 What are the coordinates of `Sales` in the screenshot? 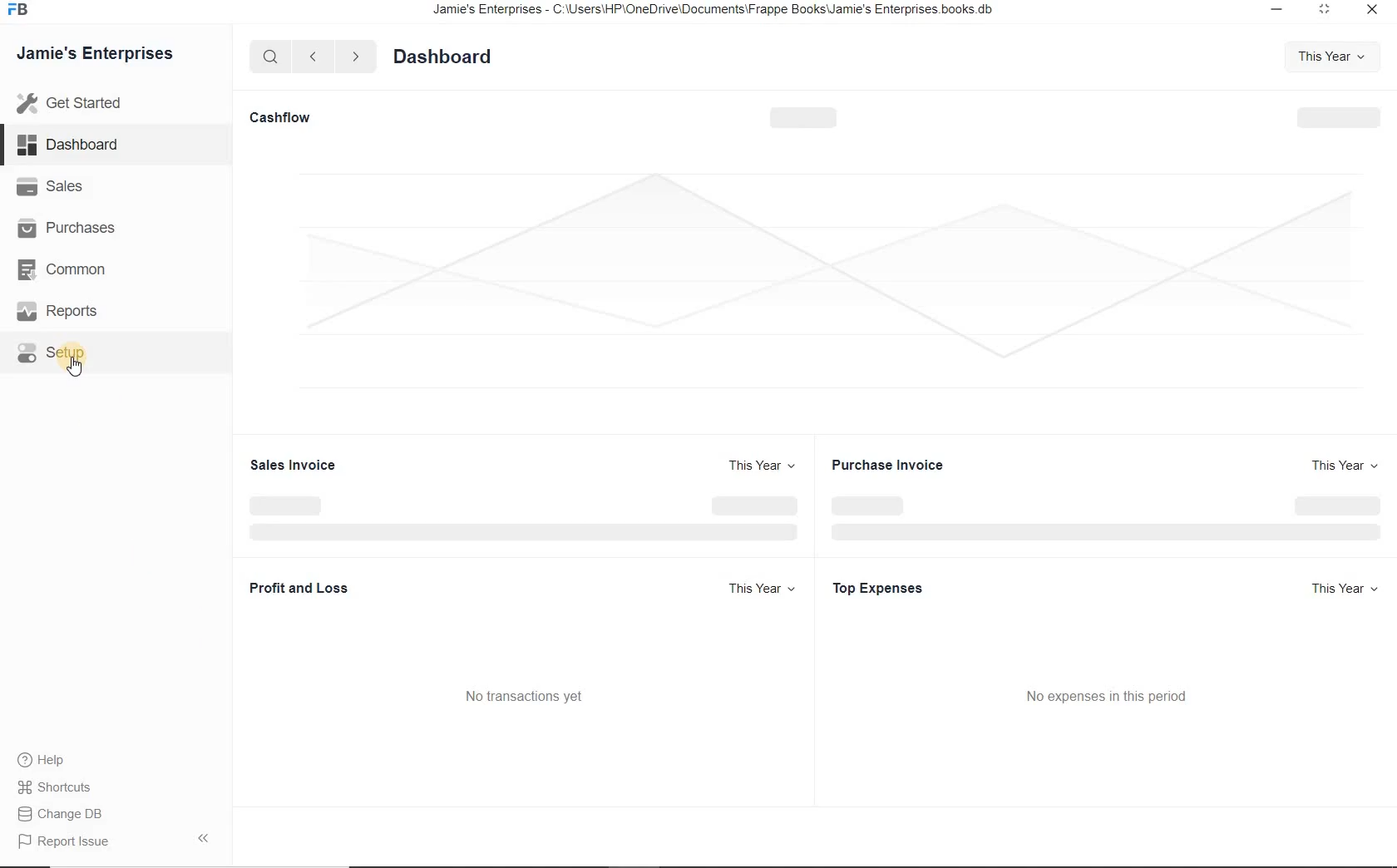 It's located at (72, 187).